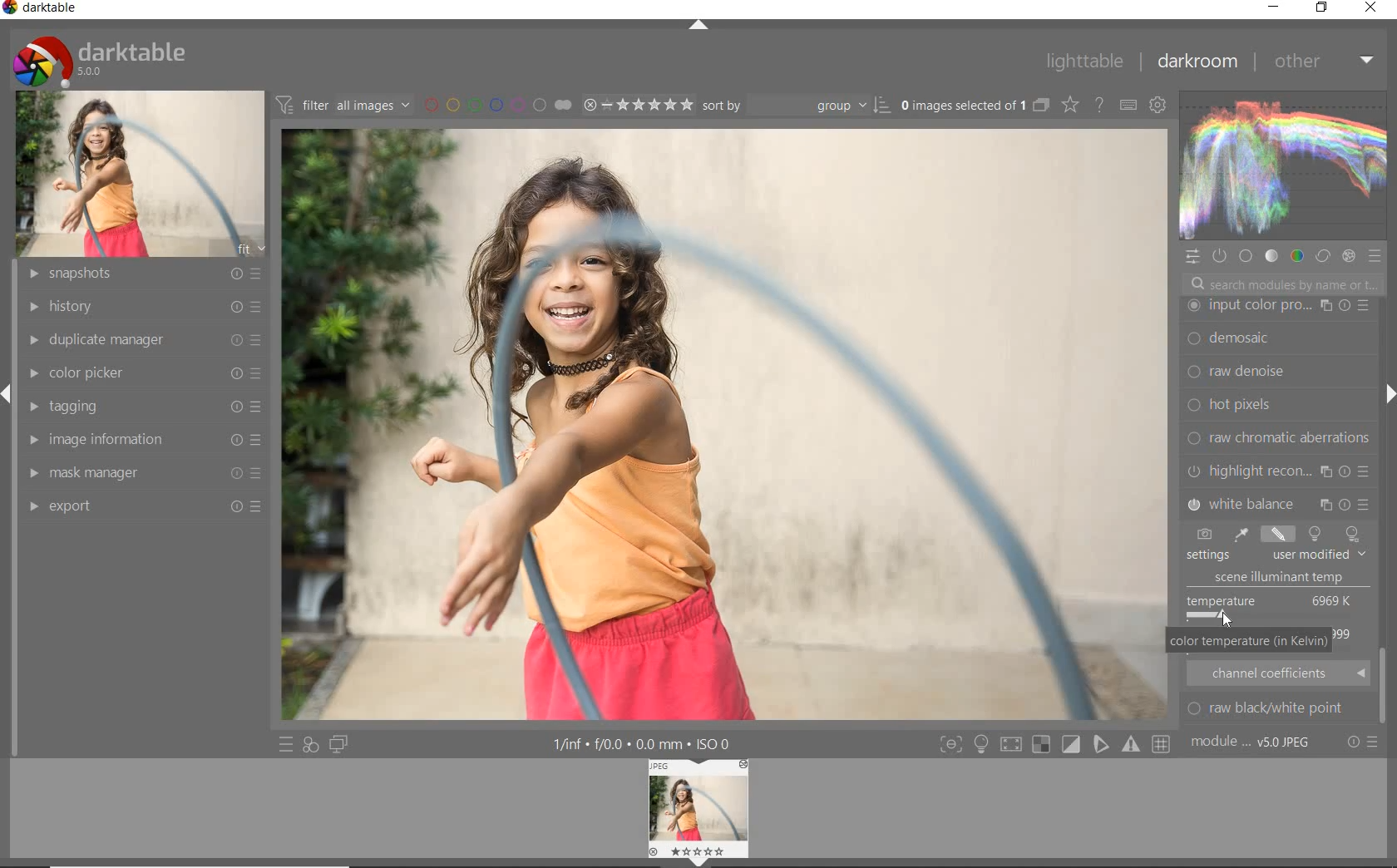  I want to click on vignetting, so click(1277, 471).